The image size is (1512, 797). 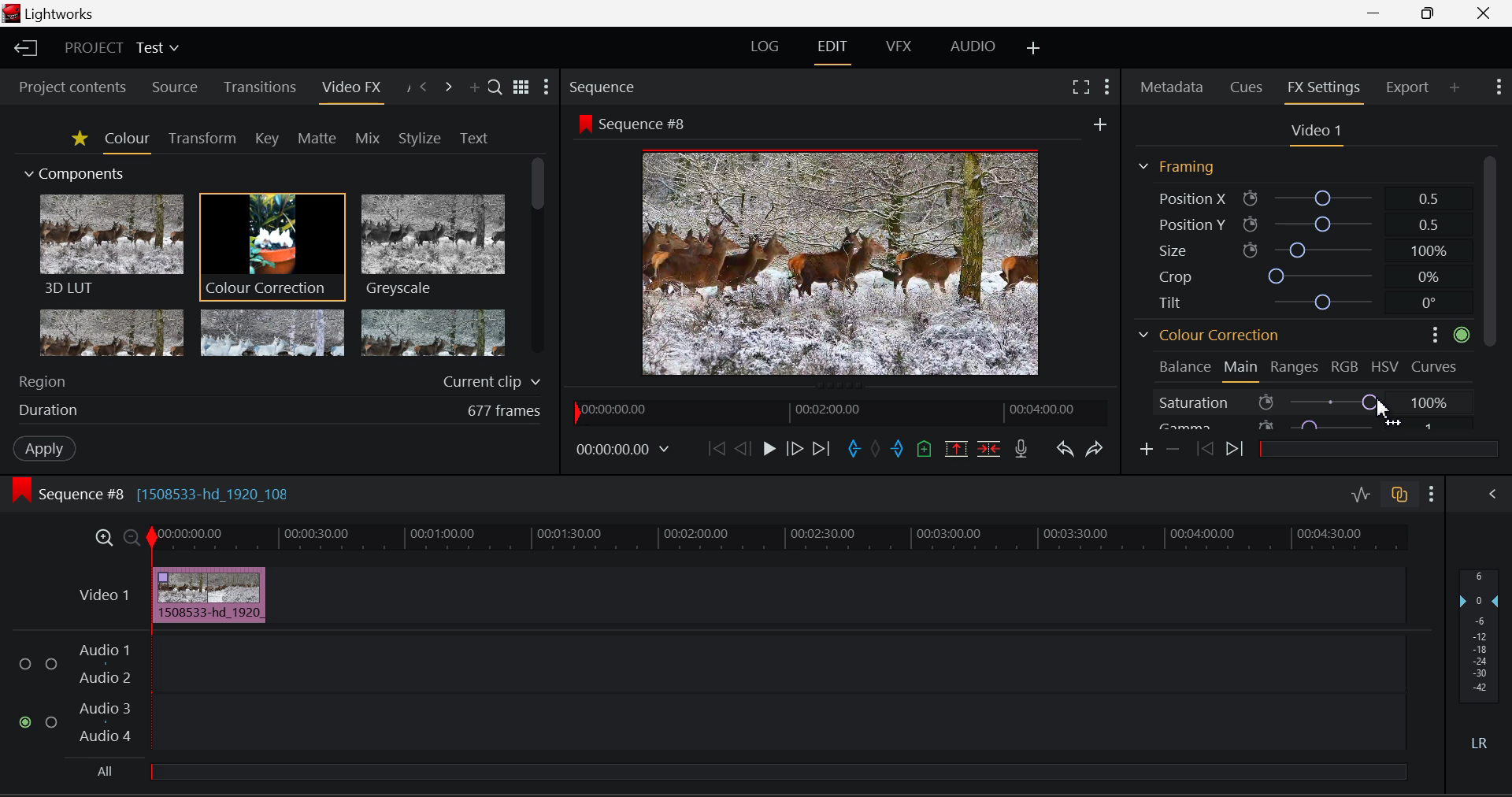 I want to click on Next keyframe, so click(x=1235, y=450).